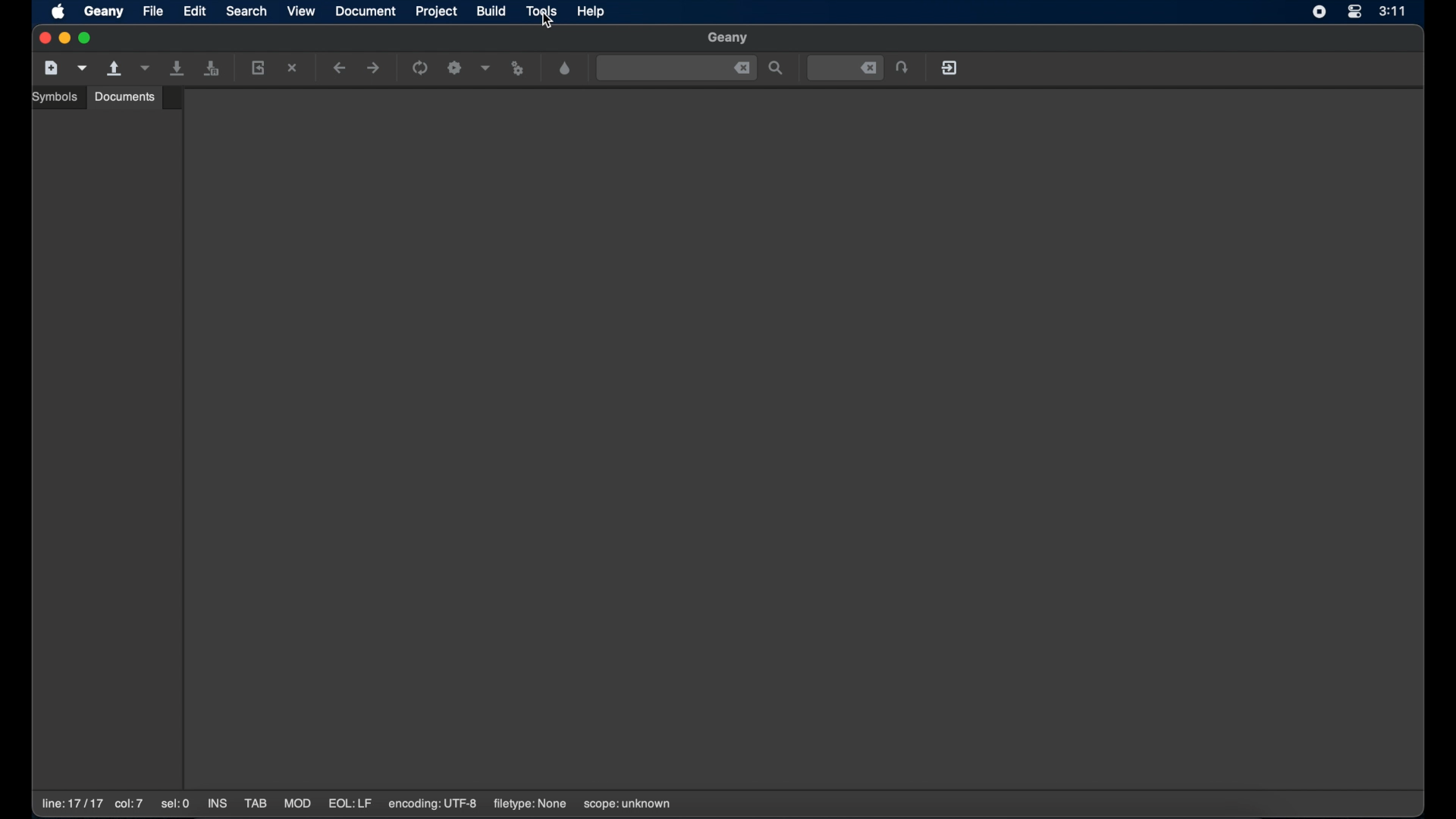 This screenshot has height=819, width=1456. What do you see at coordinates (115, 69) in the screenshot?
I see `open an existing file` at bounding box center [115, 69].